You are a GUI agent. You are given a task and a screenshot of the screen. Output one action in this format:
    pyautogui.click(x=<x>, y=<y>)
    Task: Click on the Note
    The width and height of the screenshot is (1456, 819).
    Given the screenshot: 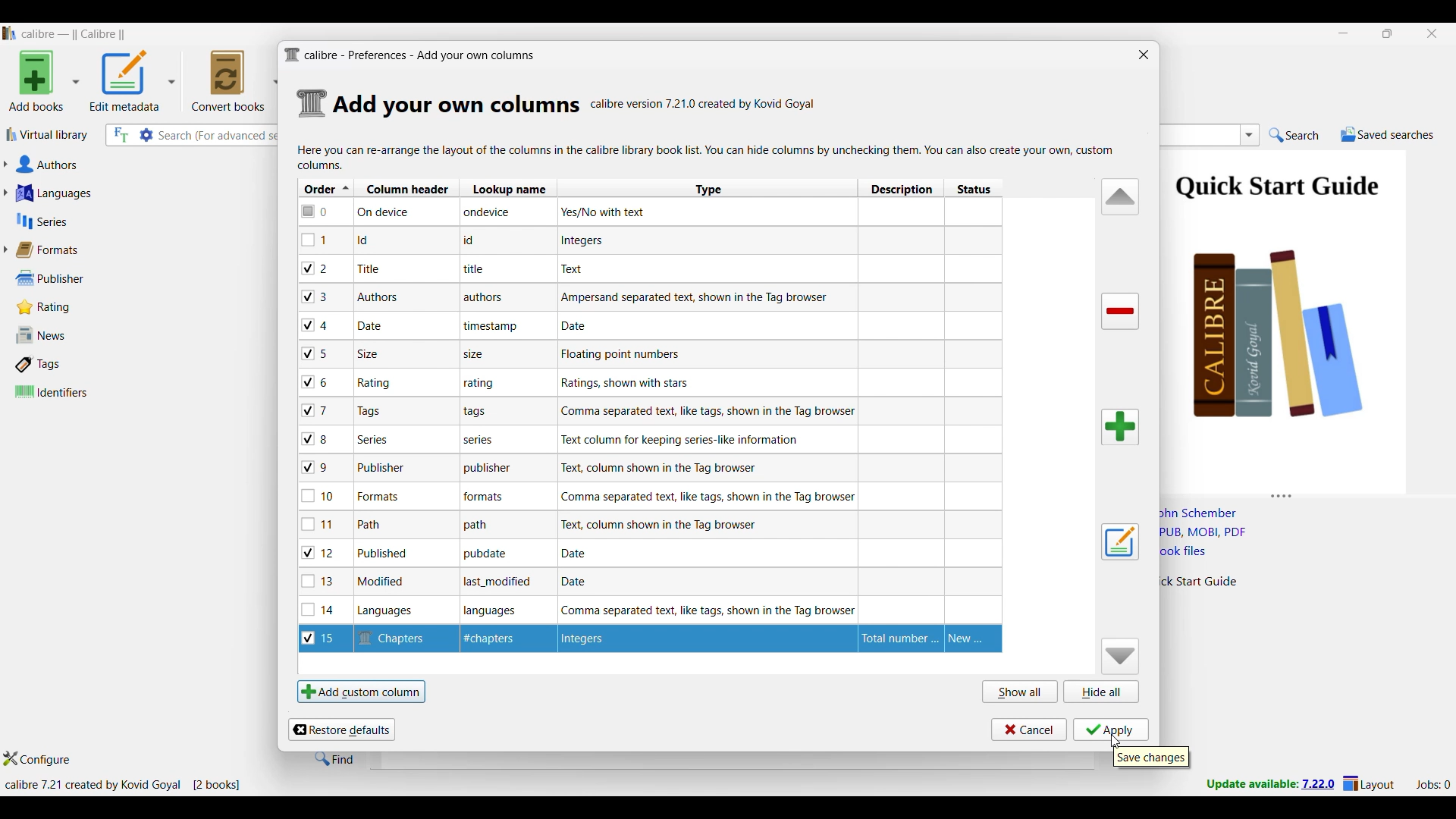 What is the action you would take?
    pyautogui.click(x=381, y=496)
    